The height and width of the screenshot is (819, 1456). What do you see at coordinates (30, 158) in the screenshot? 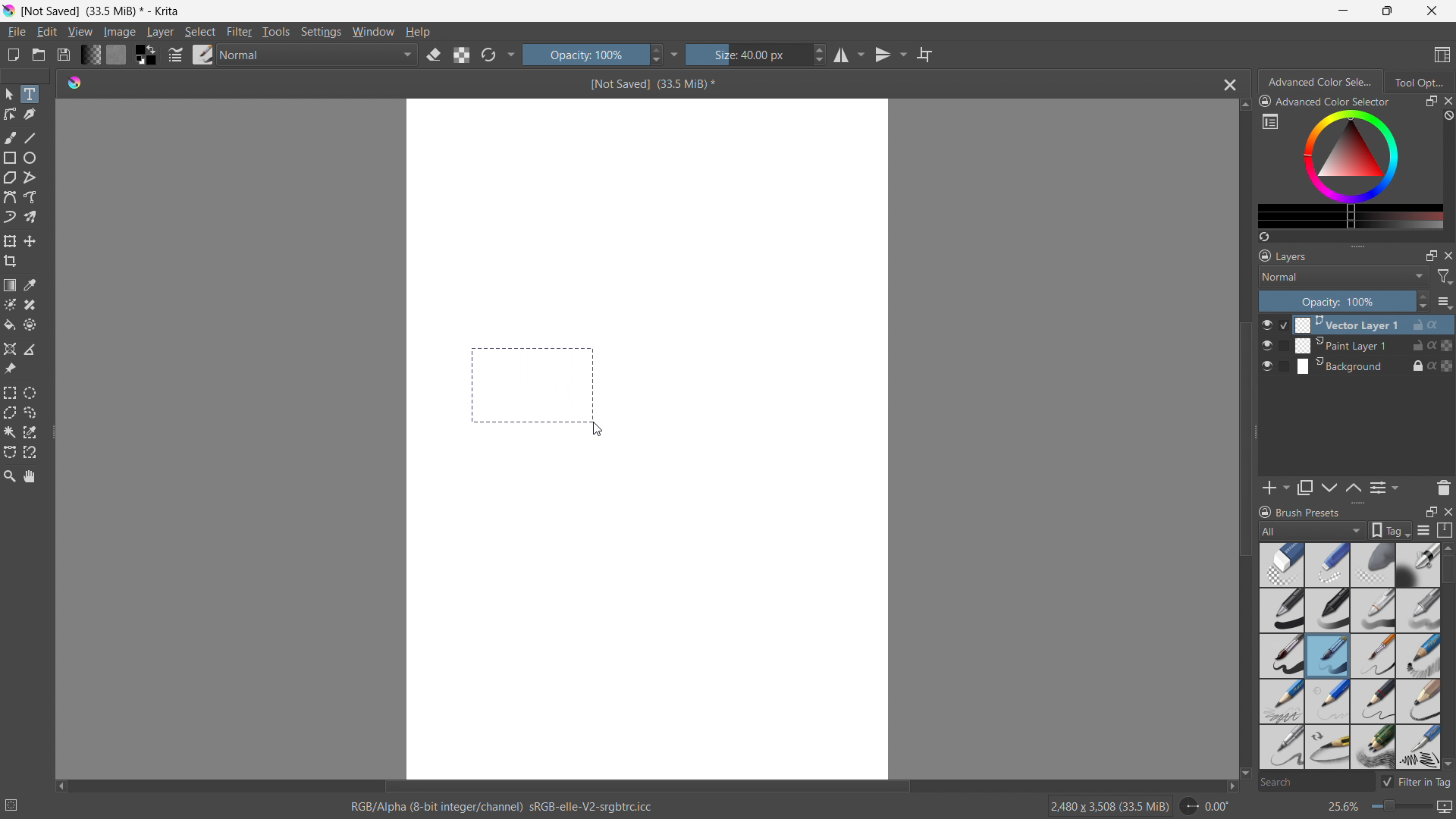
I see `ellipse tool` at bounding box center [30, 158].